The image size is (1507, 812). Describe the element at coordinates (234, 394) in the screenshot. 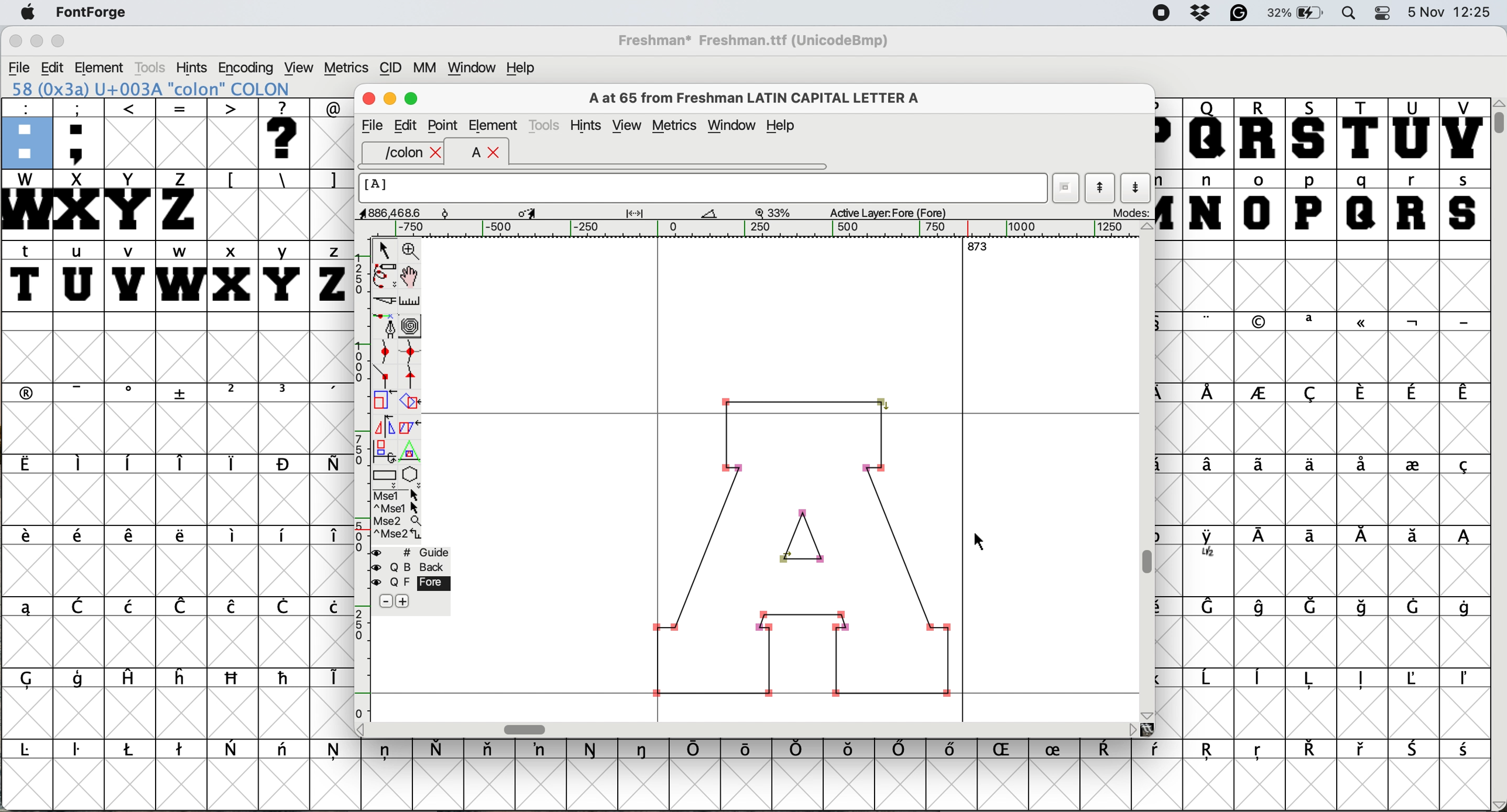

I see `` at that location.